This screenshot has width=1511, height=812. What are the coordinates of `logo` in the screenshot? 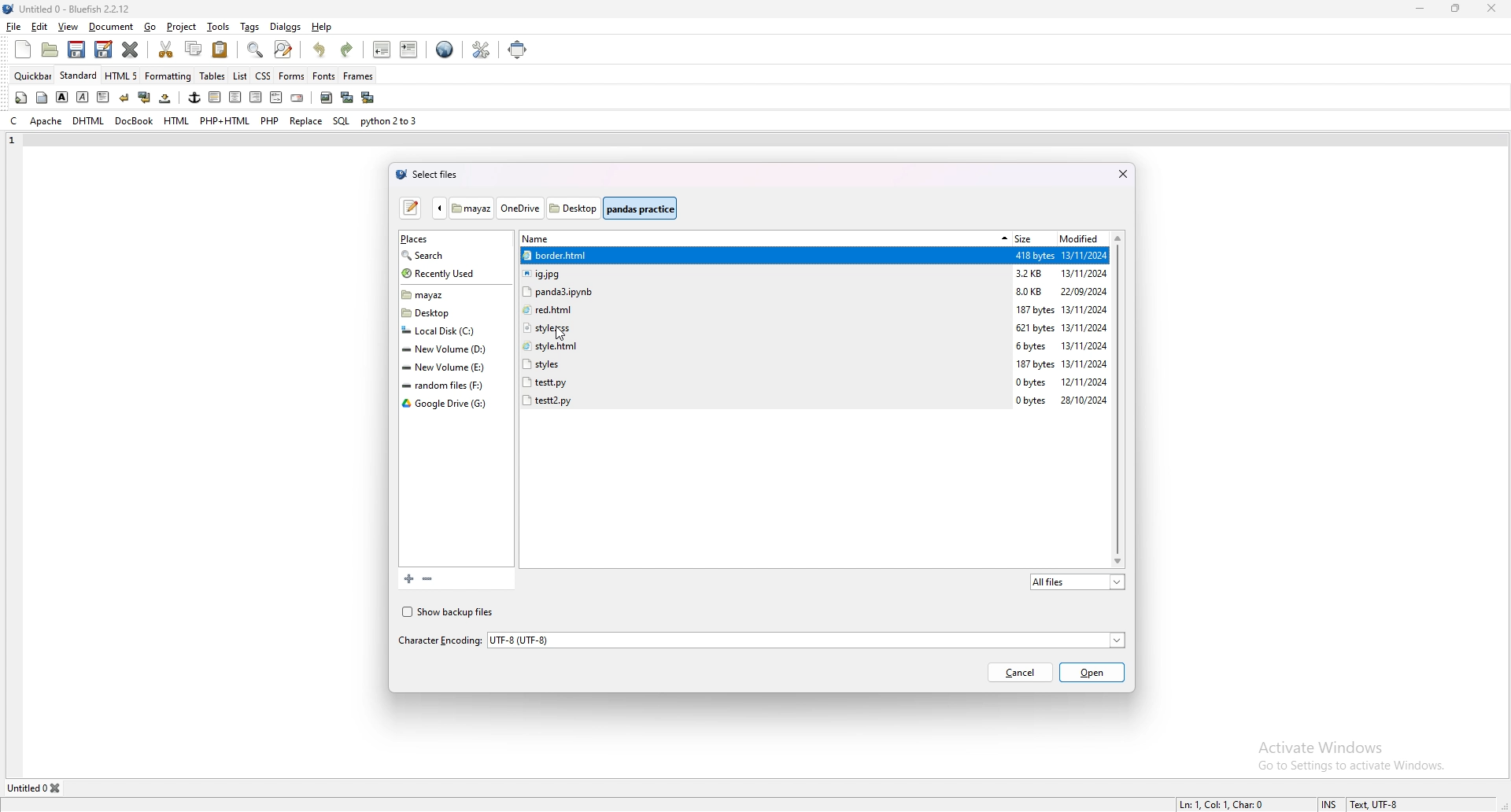 It's located at (11, 9).